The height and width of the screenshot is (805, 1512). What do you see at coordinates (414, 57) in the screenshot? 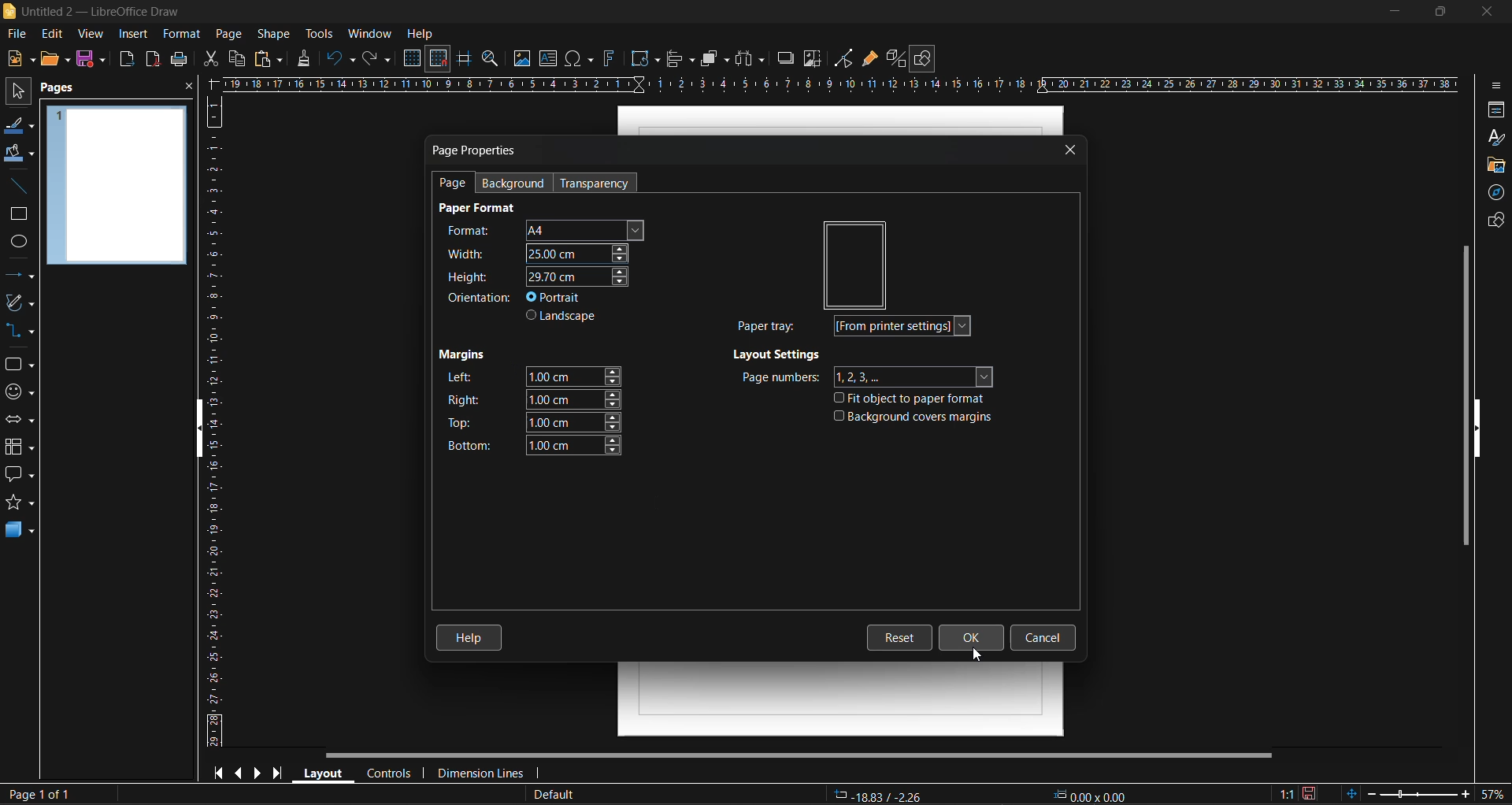
I see `display grid` at bounding box center [414, 57].